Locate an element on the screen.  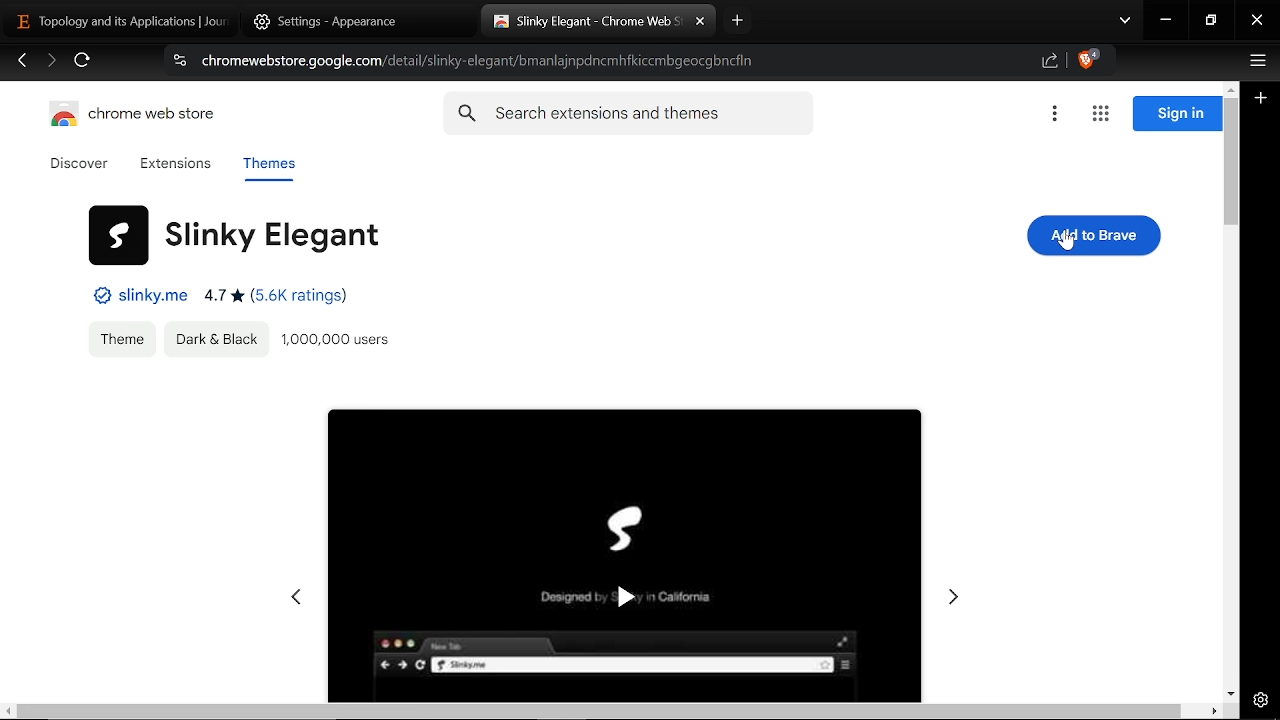
Selected theme is located at coordinates (624, 546).